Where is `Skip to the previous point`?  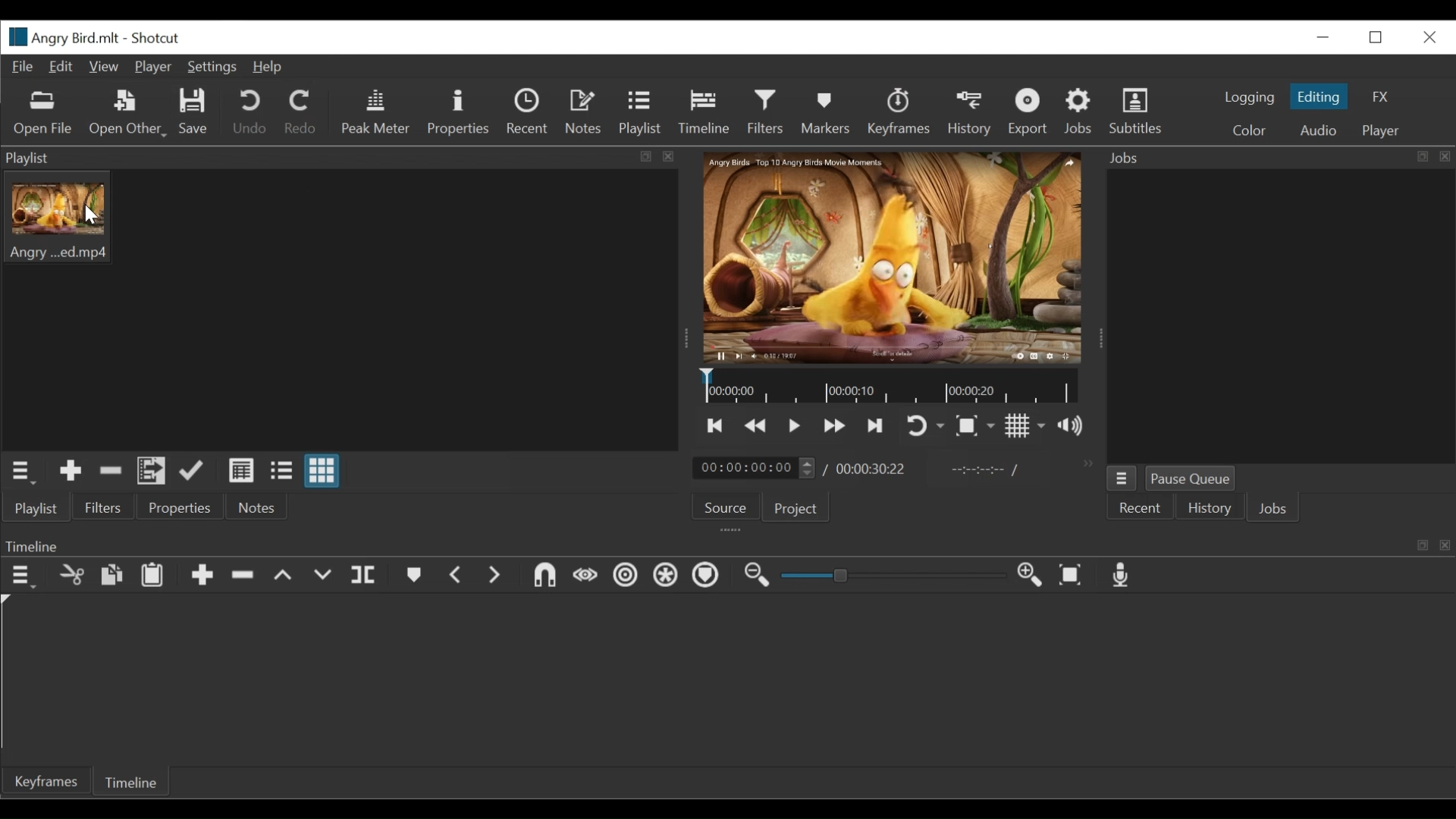
Skip to the previous point is located at coordinates (717, 425).